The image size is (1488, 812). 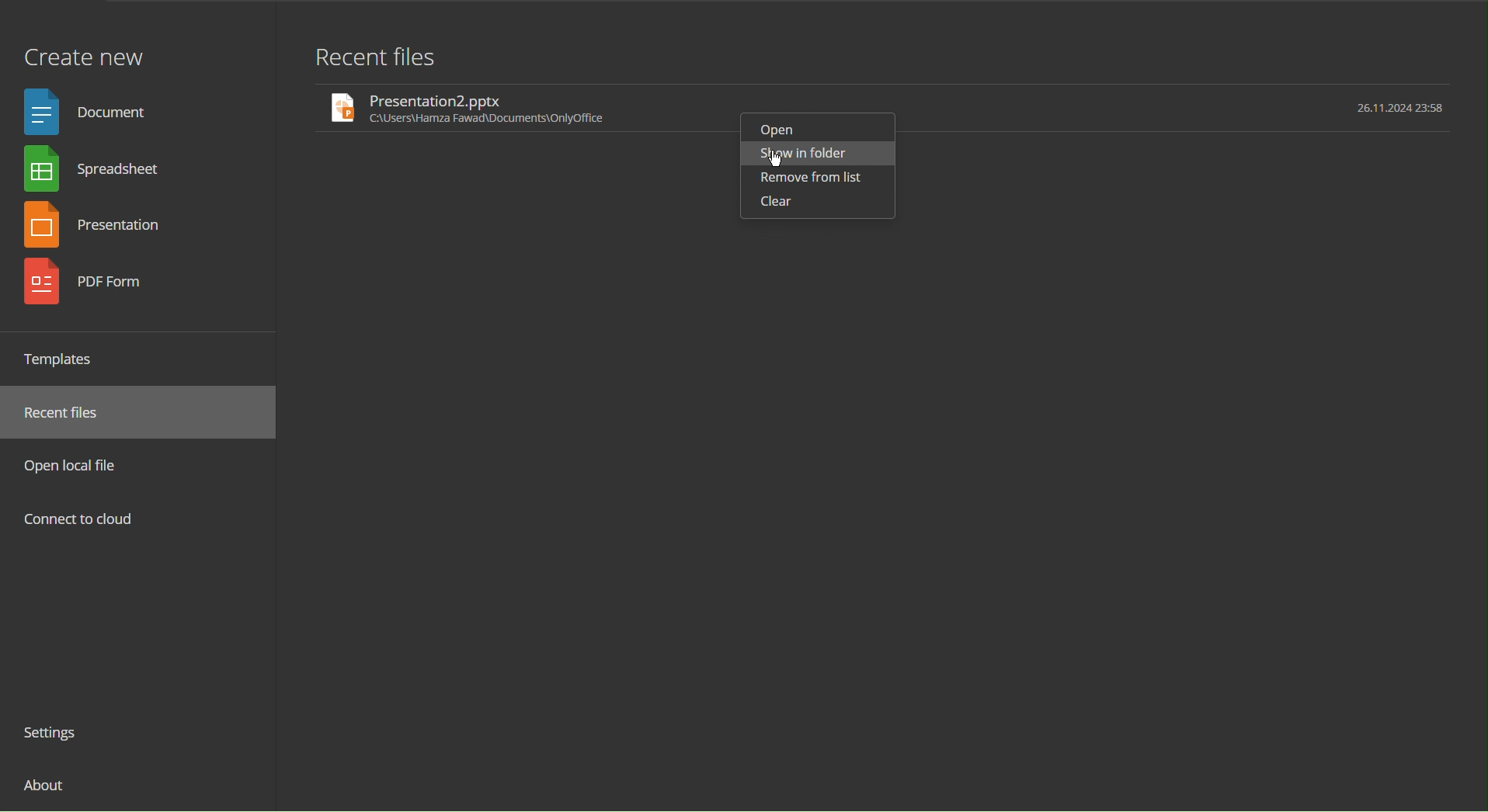 What do you see at coordinates (47, 791) in the screenshot?
I see `About` at bounding box center [47, 791].